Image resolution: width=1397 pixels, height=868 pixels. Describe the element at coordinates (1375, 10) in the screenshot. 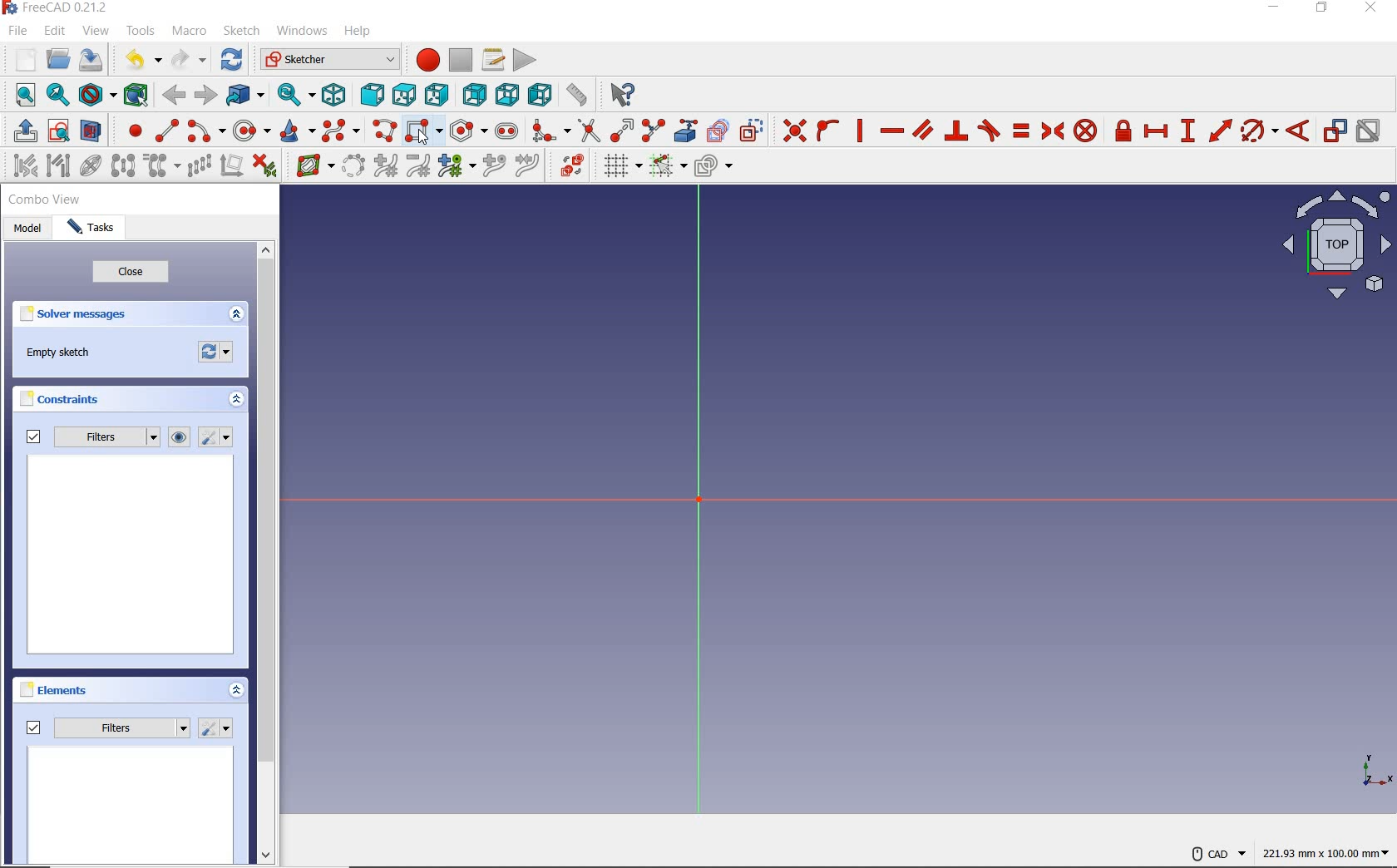

I see `close` at that location.